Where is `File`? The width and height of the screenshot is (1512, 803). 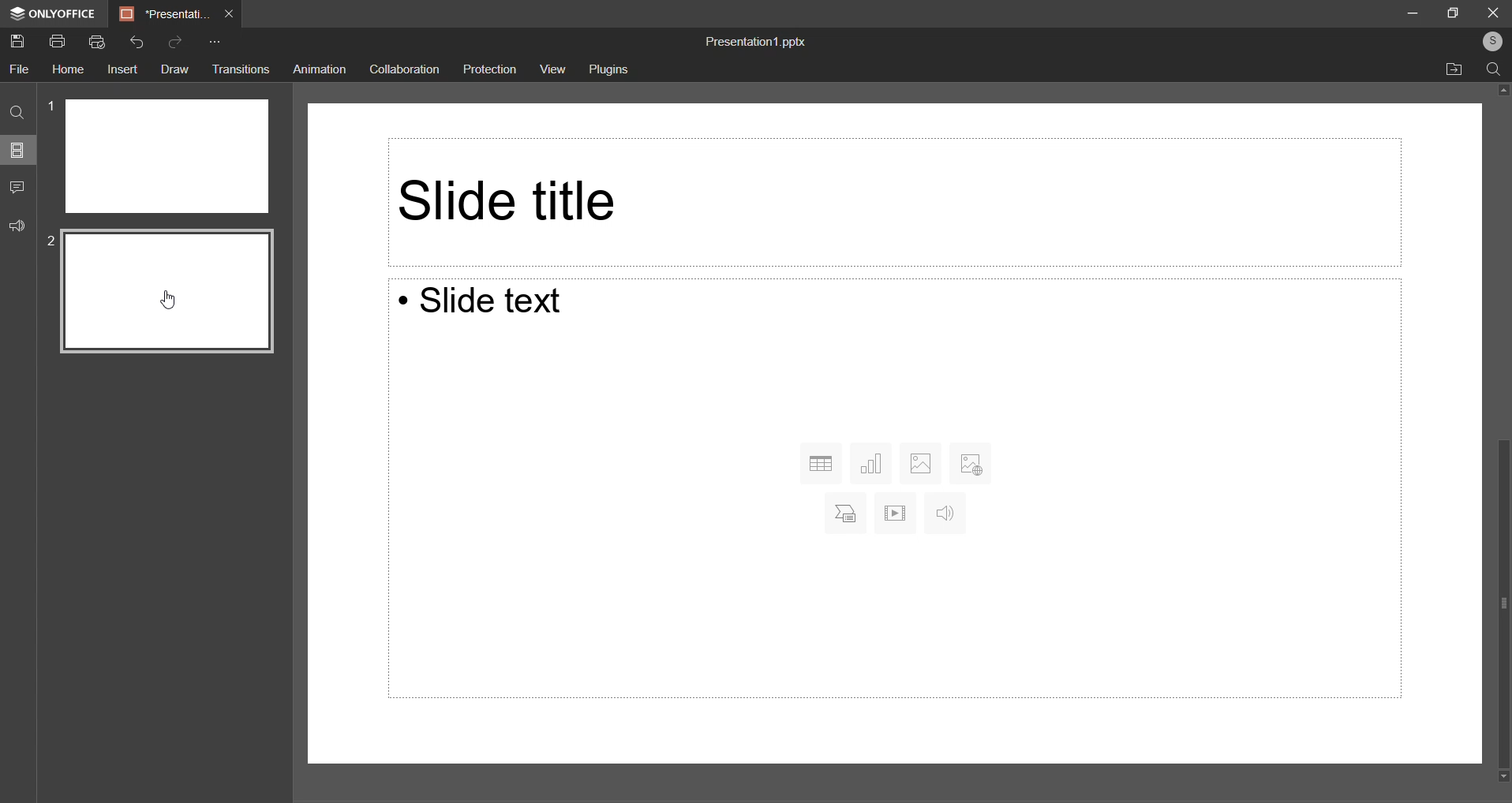
File is located at coordinates (21, 69).